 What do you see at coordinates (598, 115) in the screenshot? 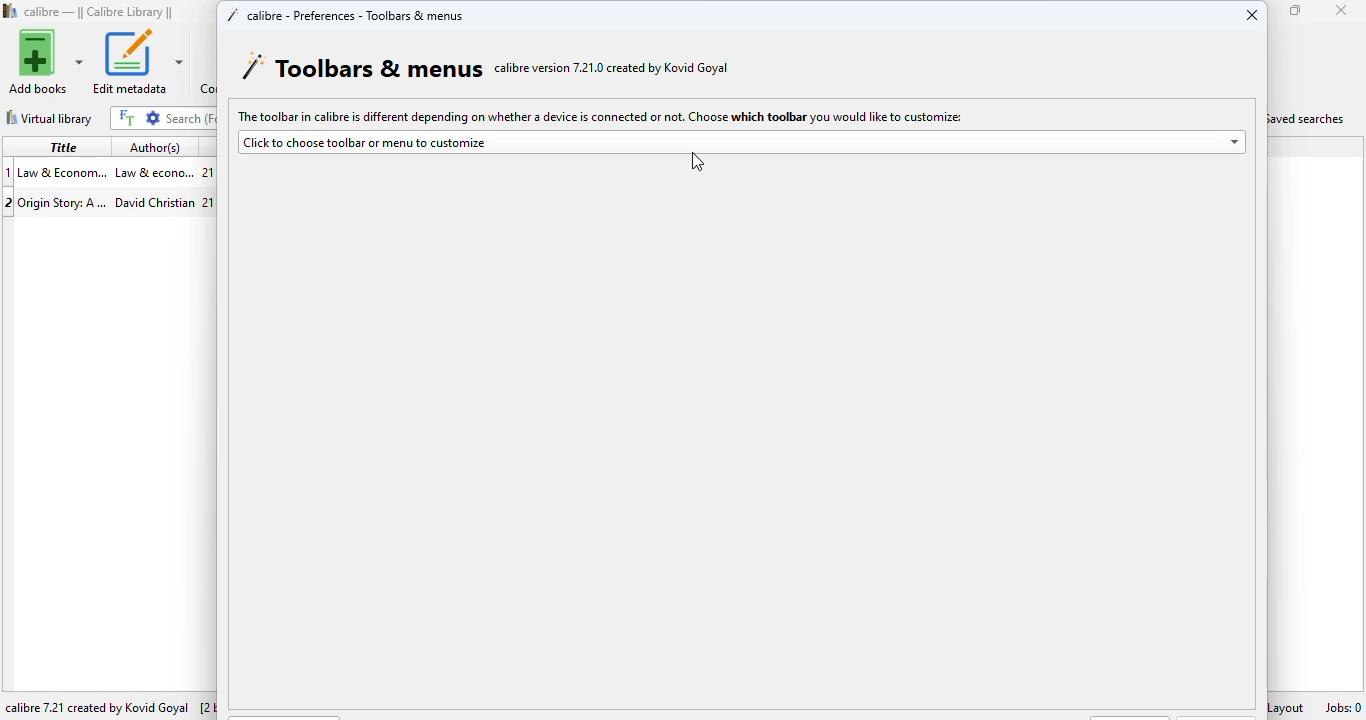
I see `The toolbar in calibre is different depending on whether a device is connected or not. Choose which toolbar you would like to customize:` at bounding box center [598, 115].